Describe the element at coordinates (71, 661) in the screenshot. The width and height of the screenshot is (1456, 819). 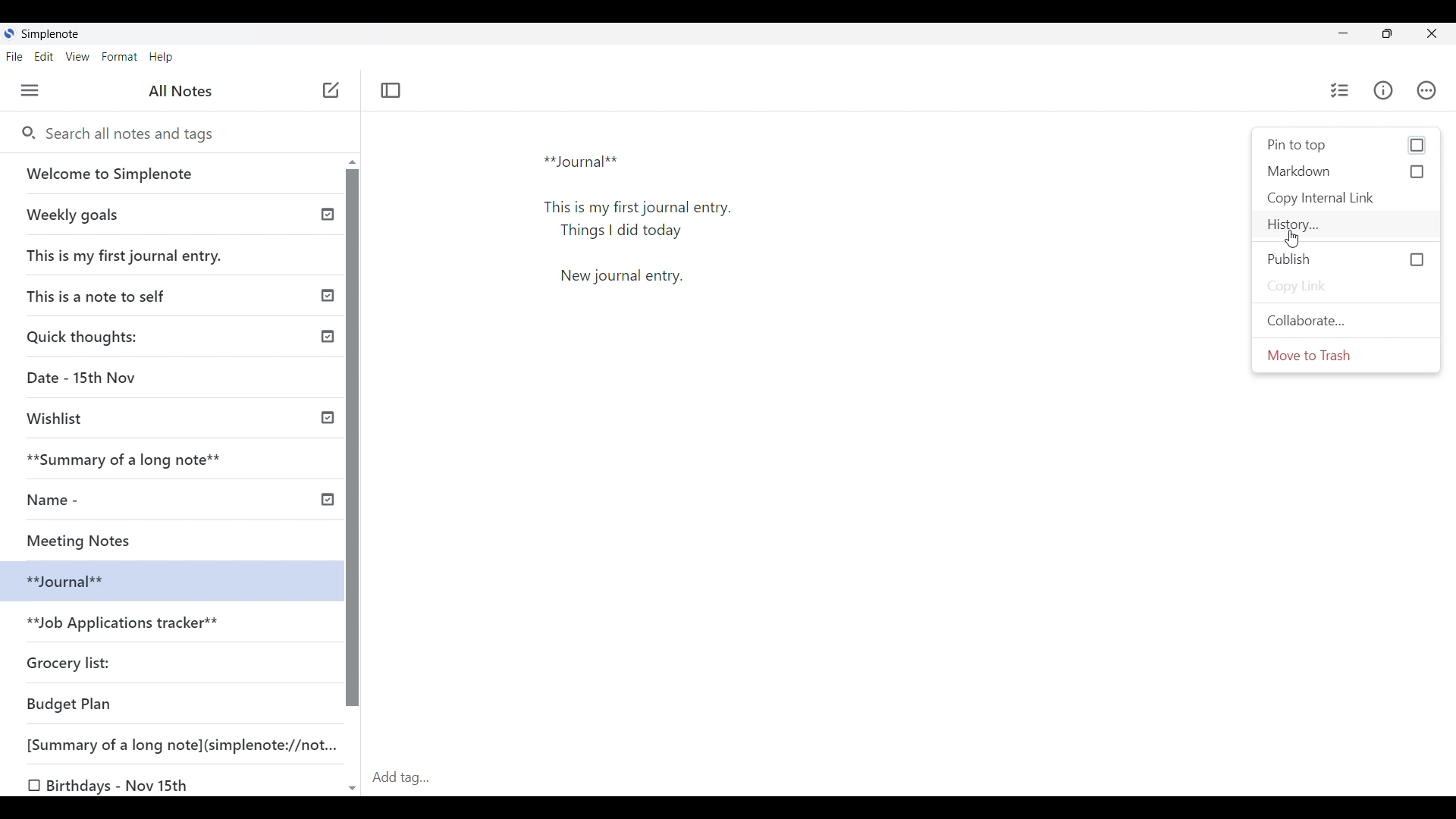
I see `Grocery list:` at that location.